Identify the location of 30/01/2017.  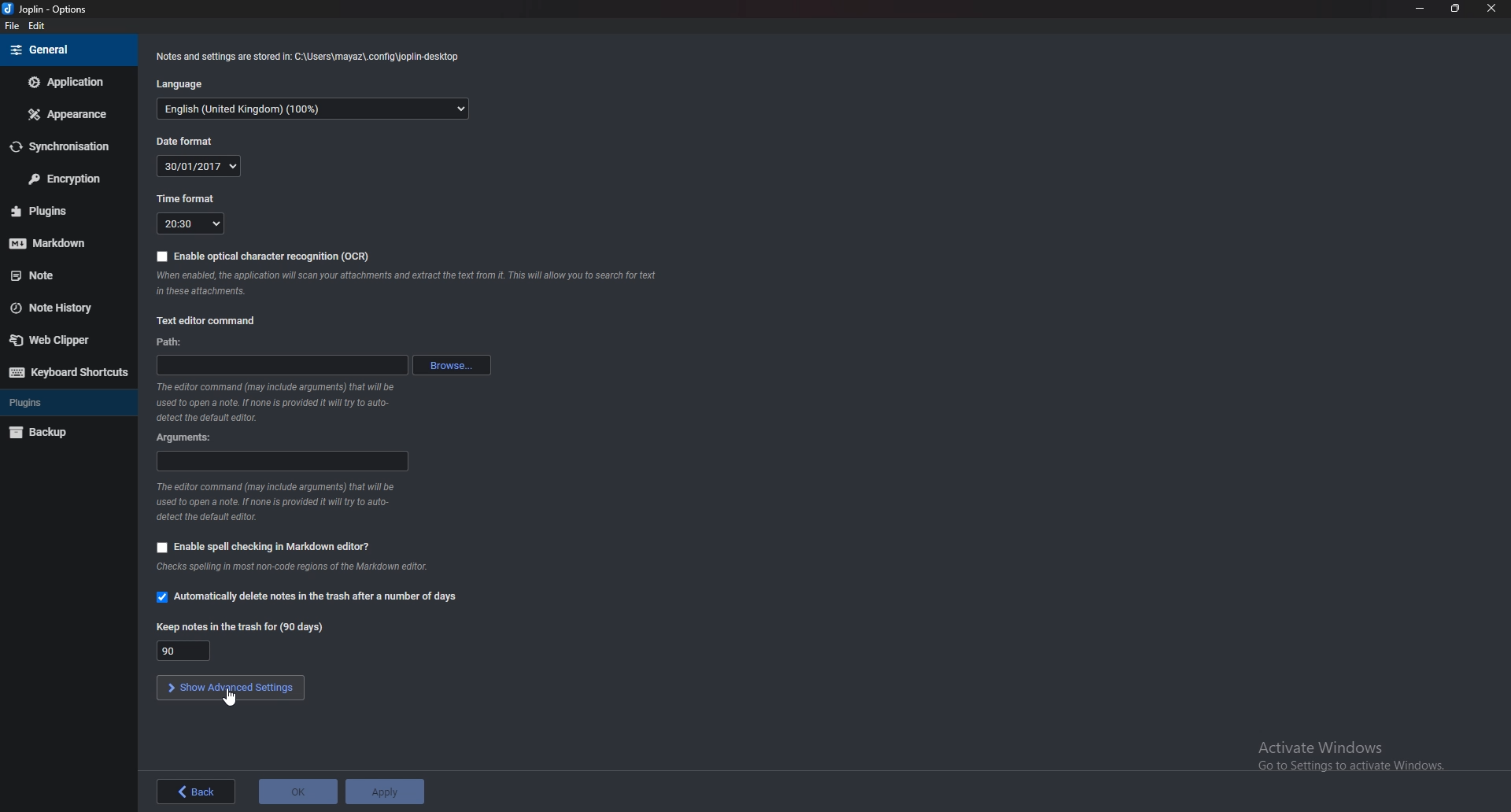
(198, 166).